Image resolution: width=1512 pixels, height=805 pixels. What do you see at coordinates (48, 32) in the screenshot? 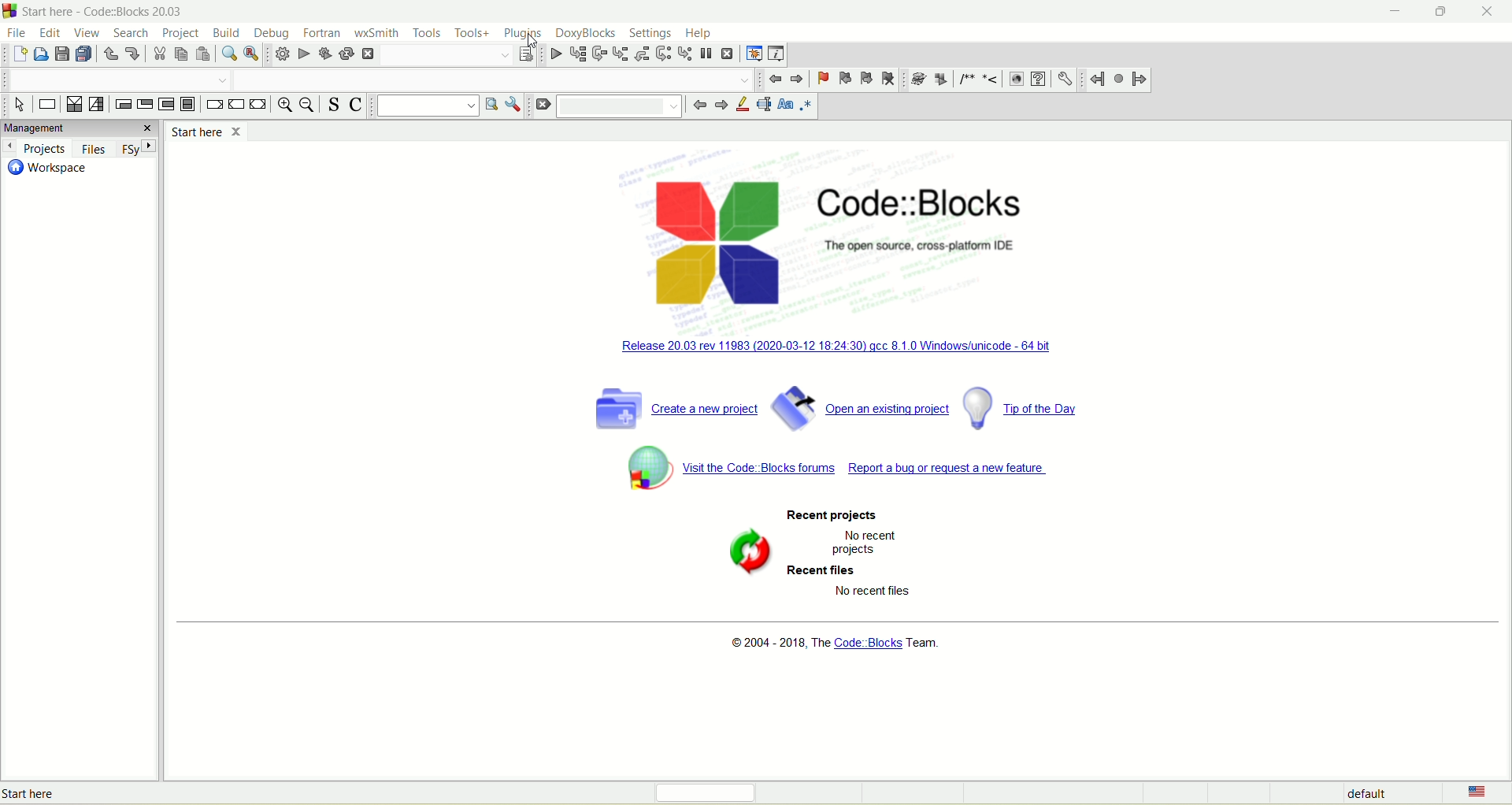
I see `edit` at bounding box center [48, 32].